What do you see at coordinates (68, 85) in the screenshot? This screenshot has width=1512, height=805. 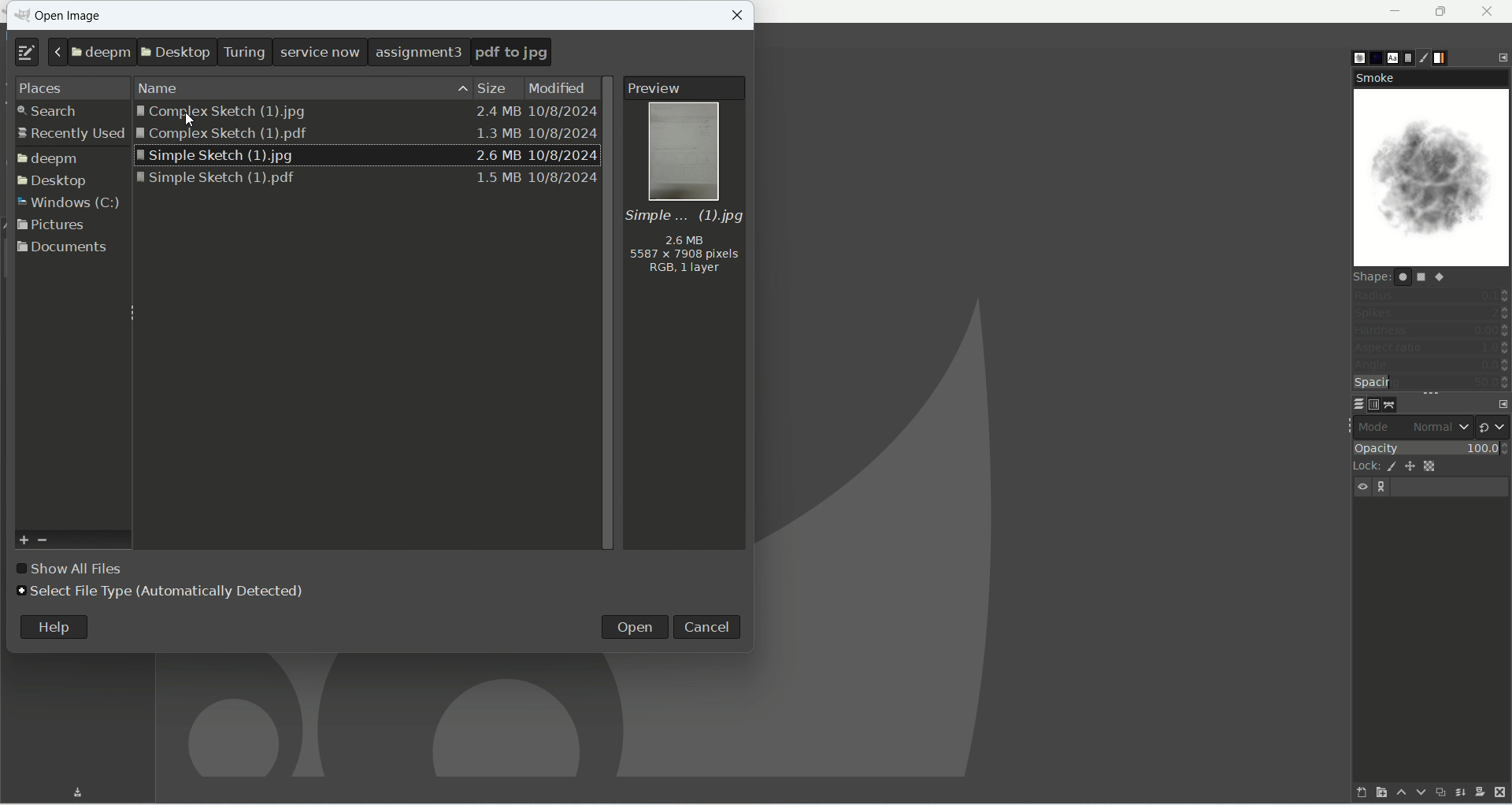 I see `places` at bounding box center [68, 85].